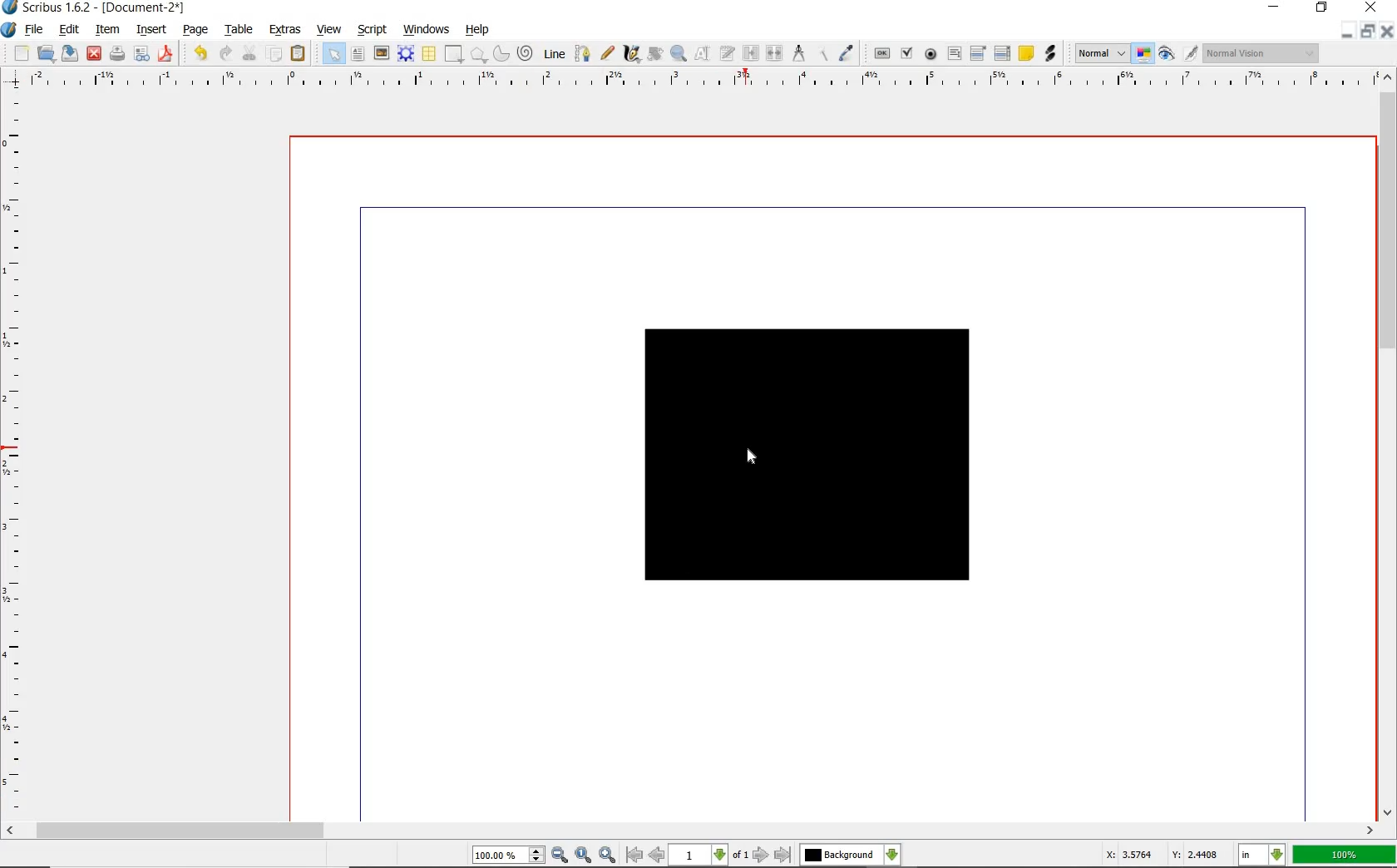  I want to click on edit, so click(69, 30).